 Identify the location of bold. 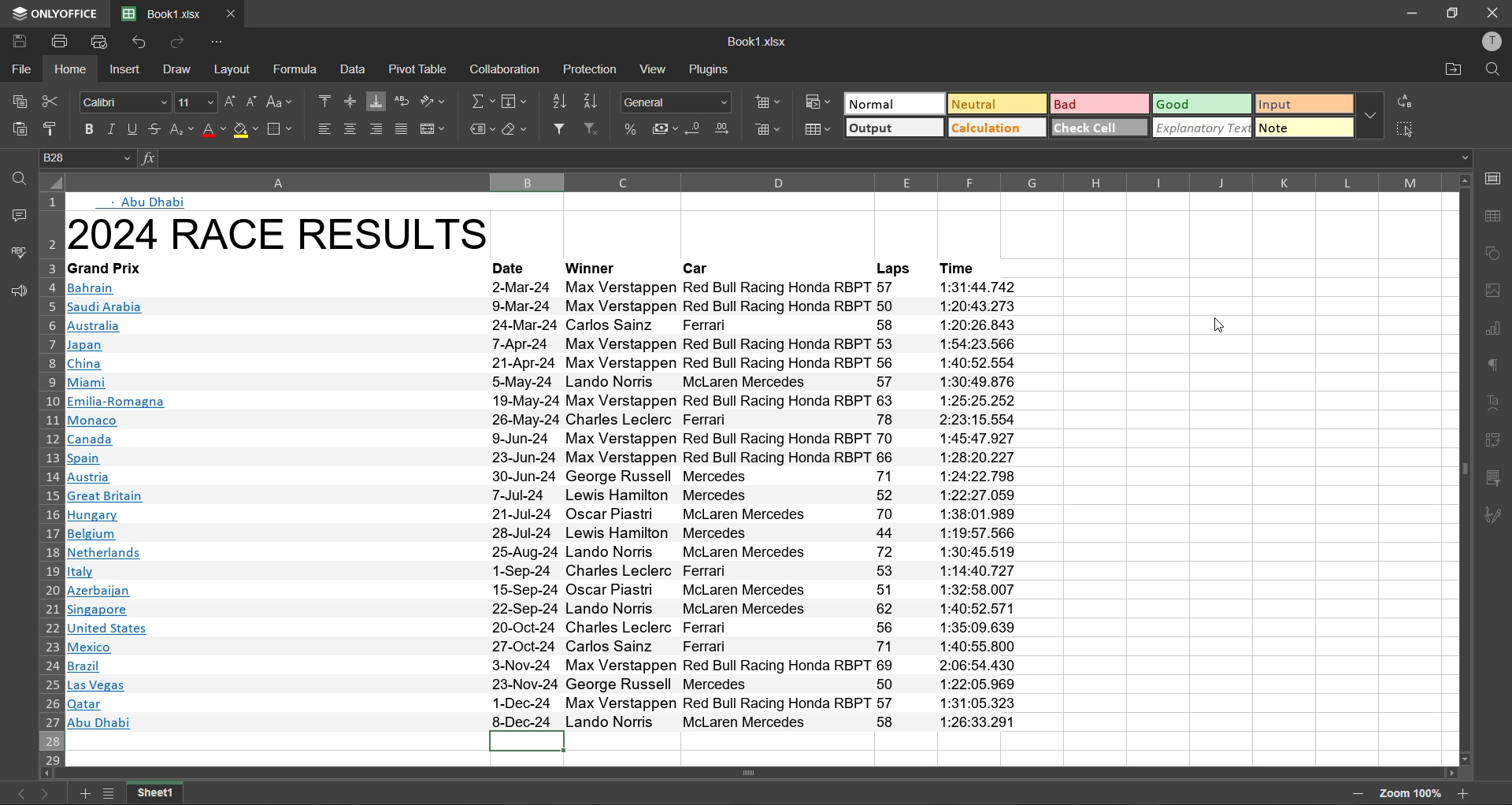
(86, 131).